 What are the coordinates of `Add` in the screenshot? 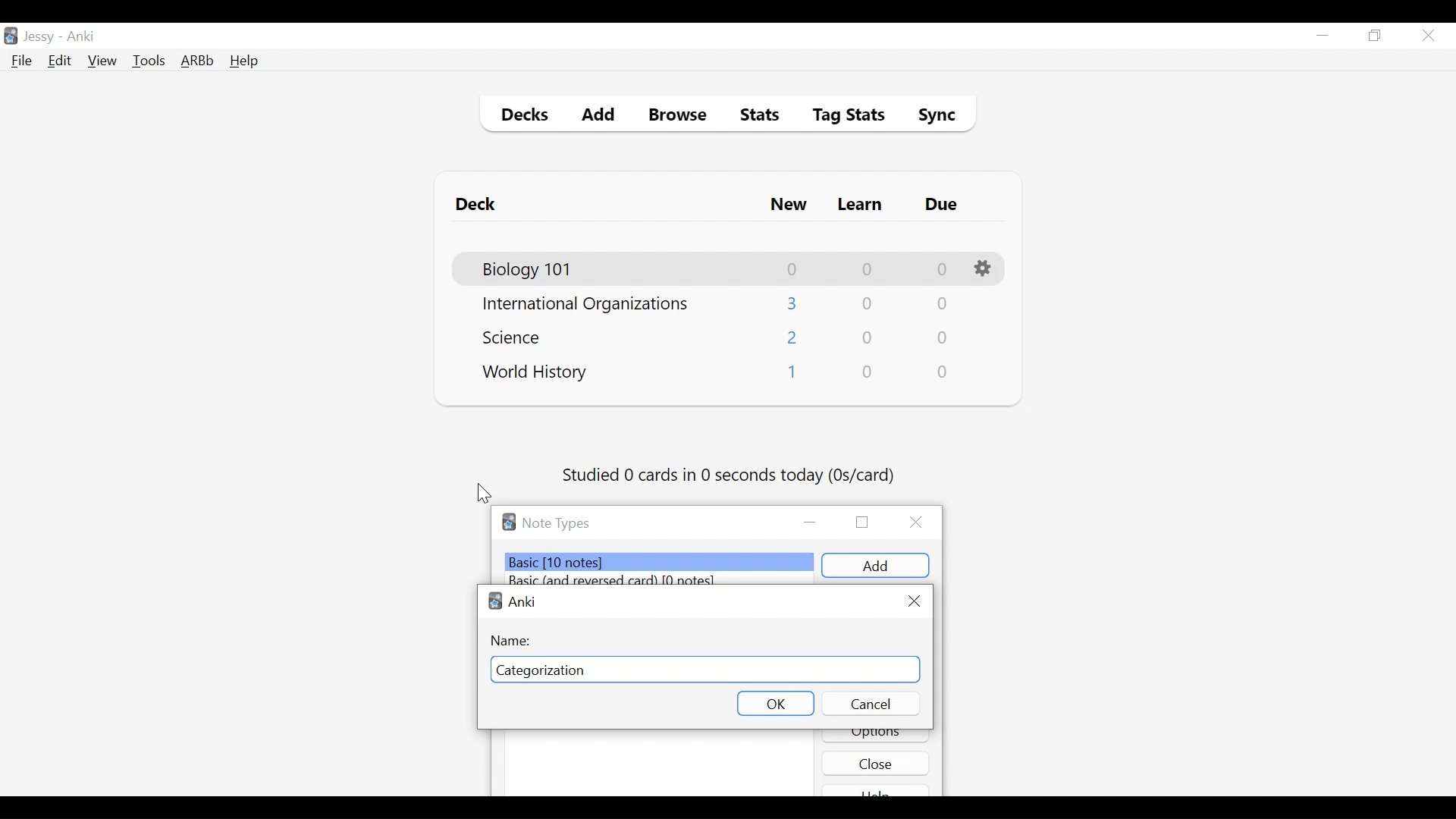 It's located at (599, 117).